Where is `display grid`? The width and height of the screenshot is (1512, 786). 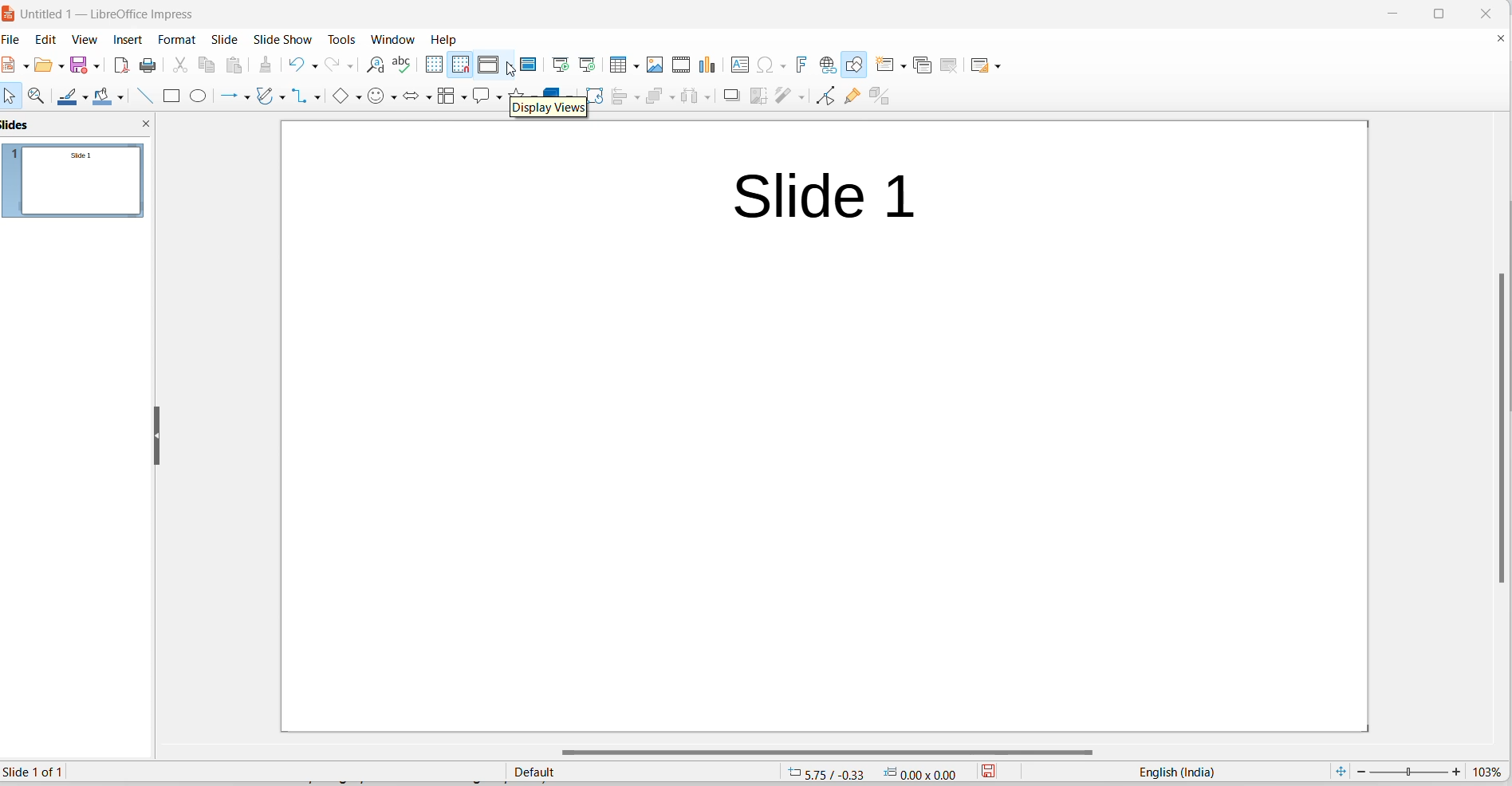 display grid is located at coordinates (435, 64).